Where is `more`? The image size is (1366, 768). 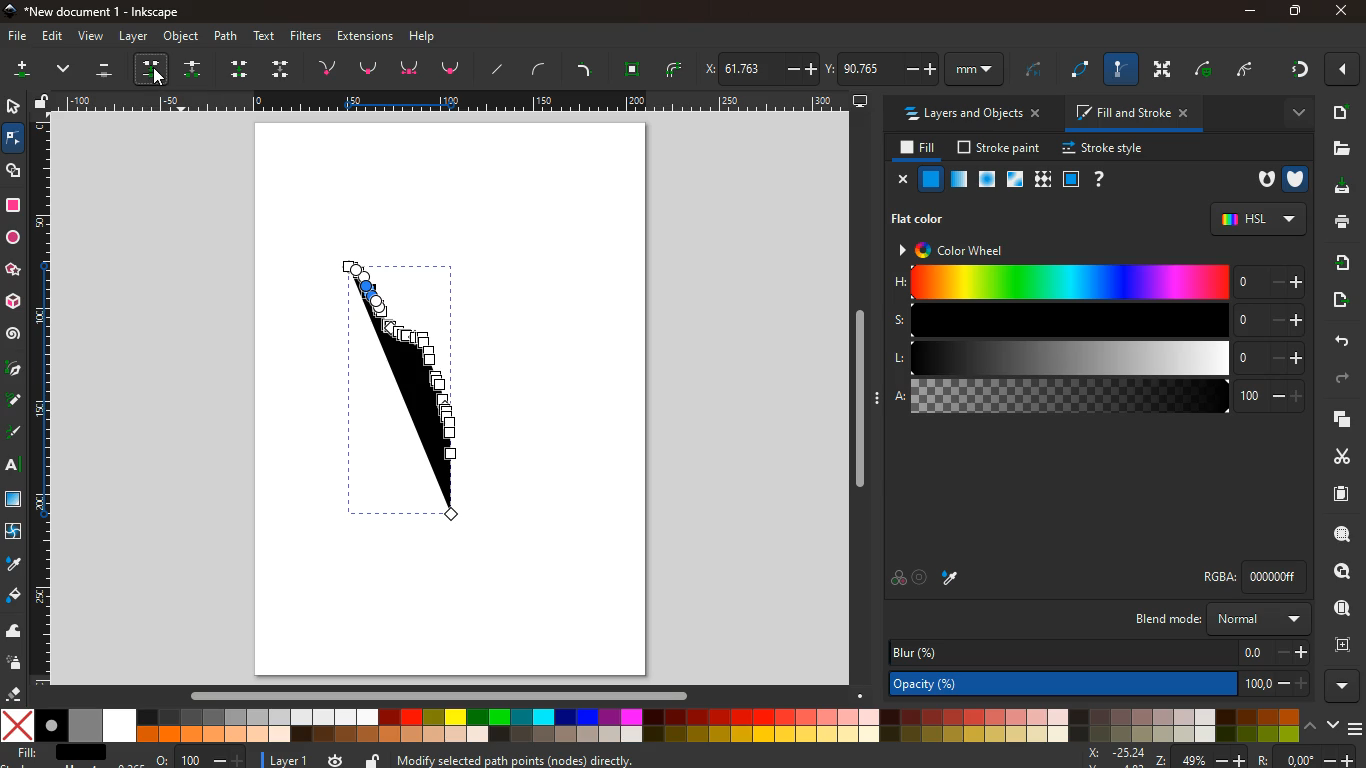 more is located at coordinates (1291, 113).